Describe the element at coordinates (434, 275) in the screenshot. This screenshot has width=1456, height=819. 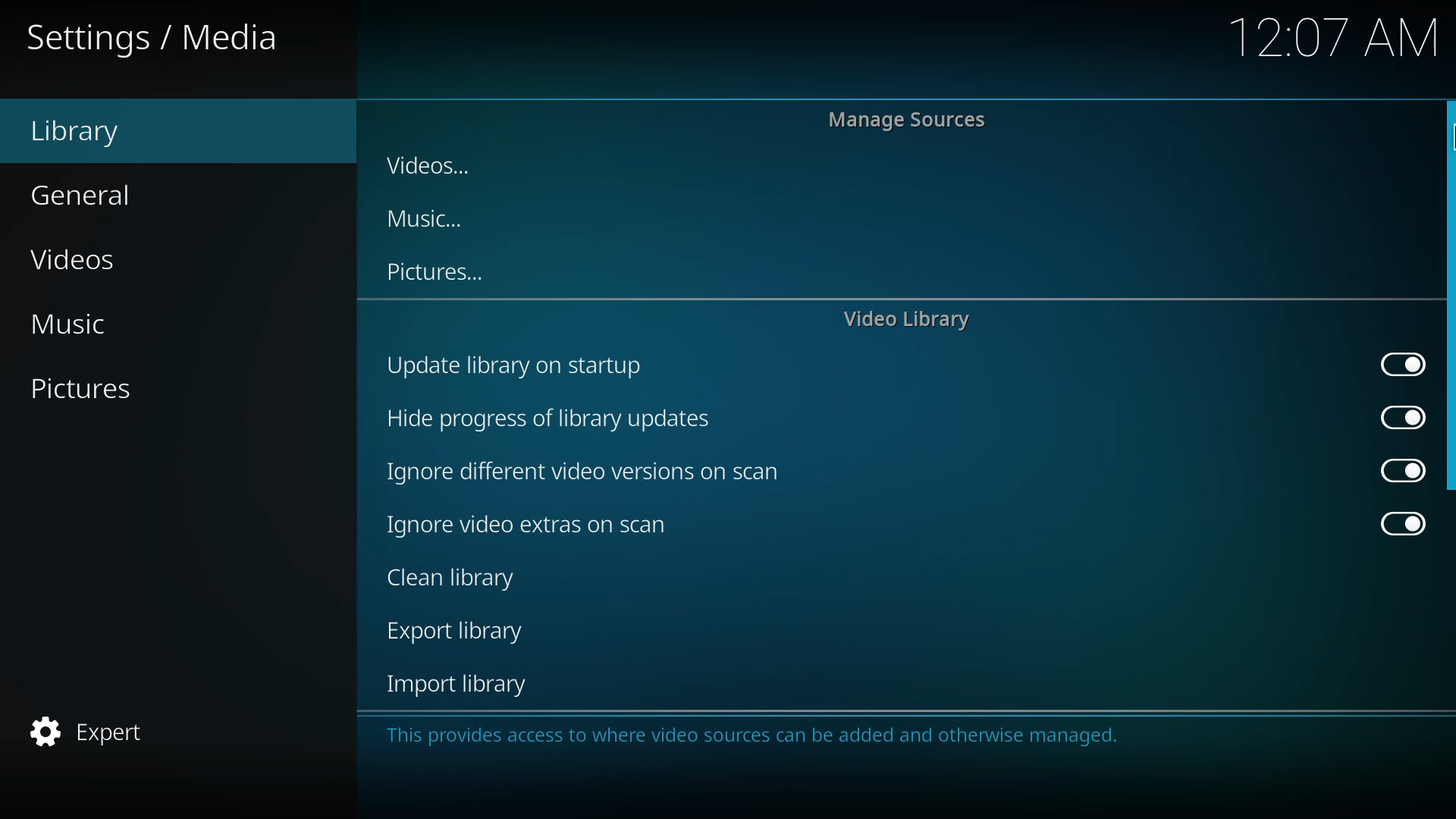
I see `pictures` at that location.